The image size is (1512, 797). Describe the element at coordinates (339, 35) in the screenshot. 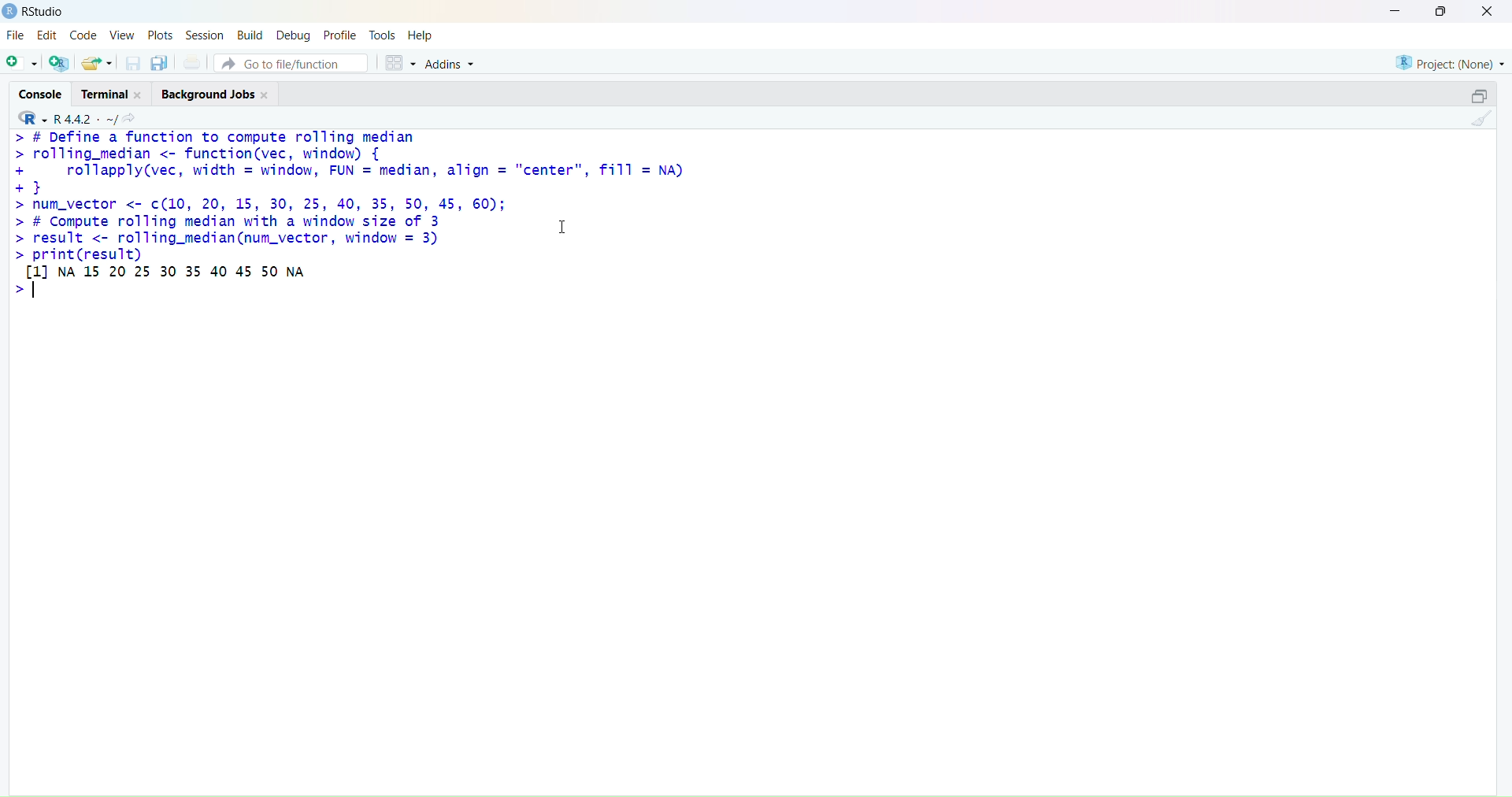

I see `profile` at that location.